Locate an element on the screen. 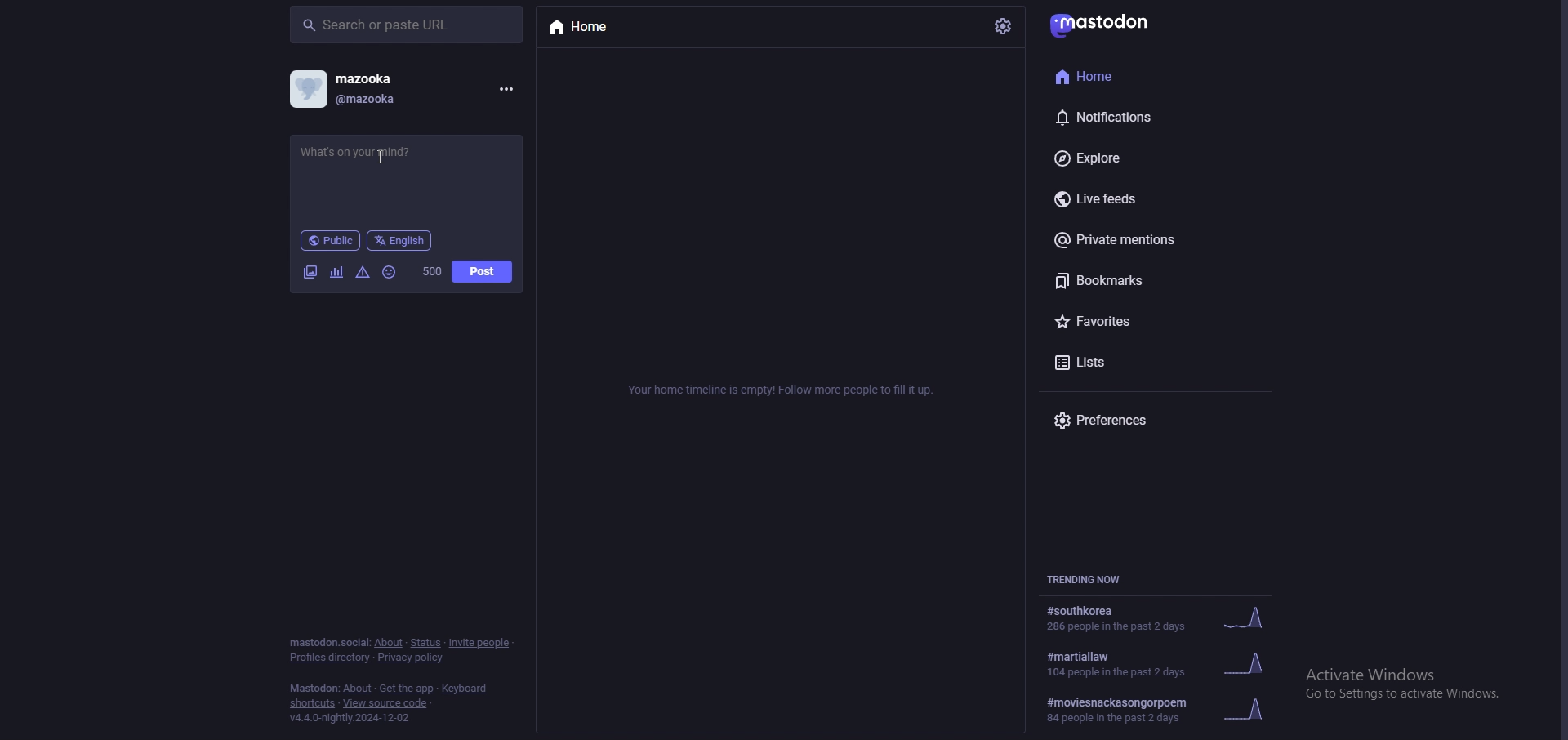 This screenshot has height=740, width=1568. warnings is located at coordinates (363, 273).